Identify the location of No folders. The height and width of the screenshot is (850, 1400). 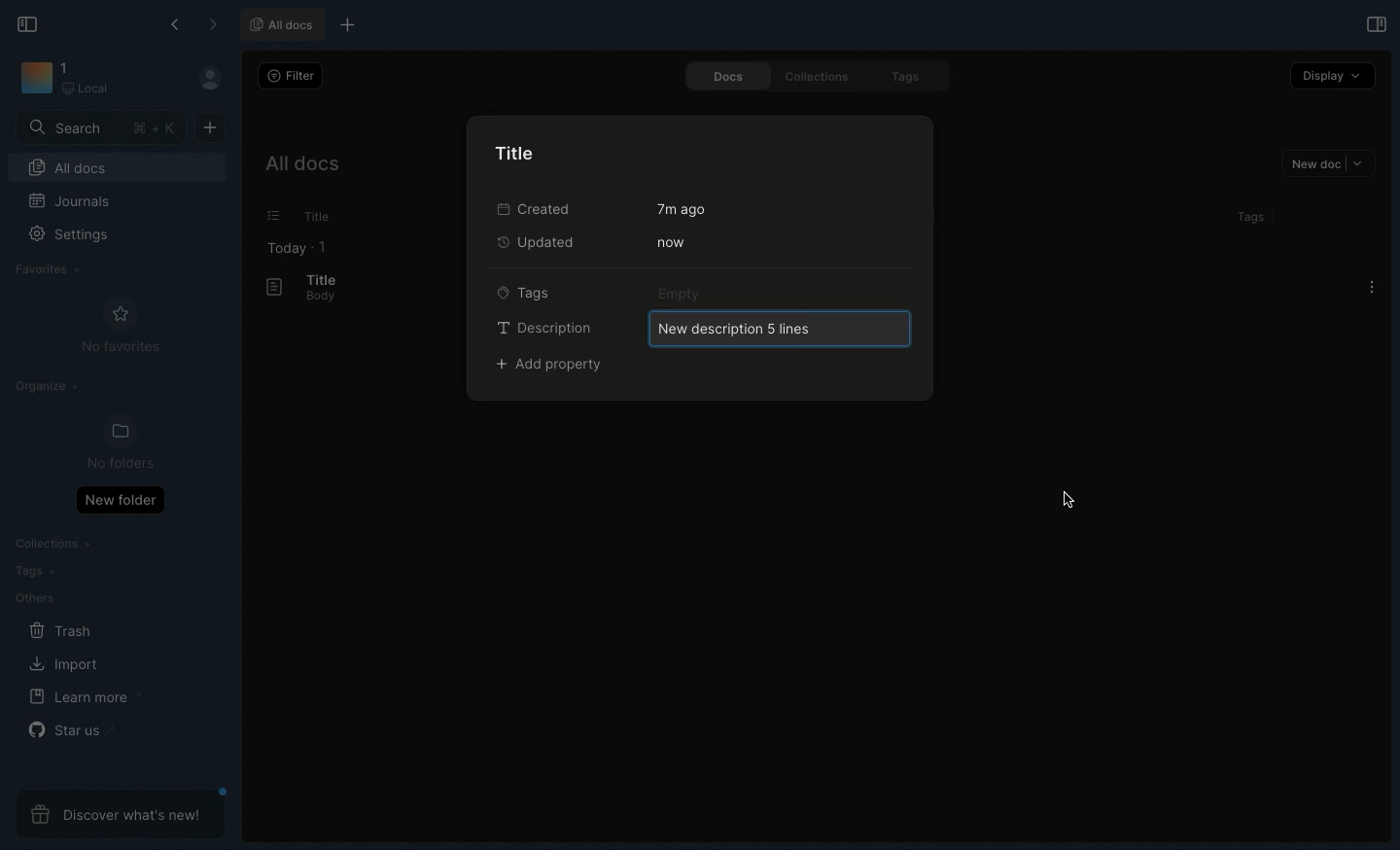
(113, 443).